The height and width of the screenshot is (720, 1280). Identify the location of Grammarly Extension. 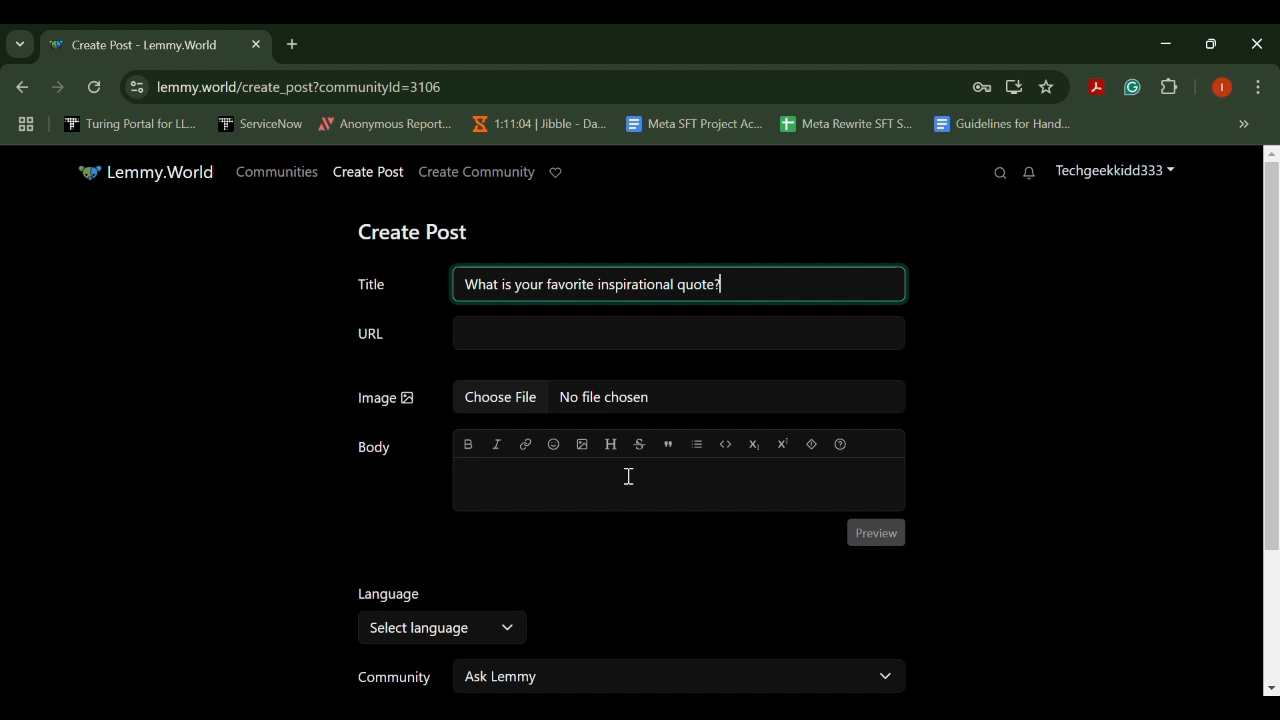
(1130, 88).